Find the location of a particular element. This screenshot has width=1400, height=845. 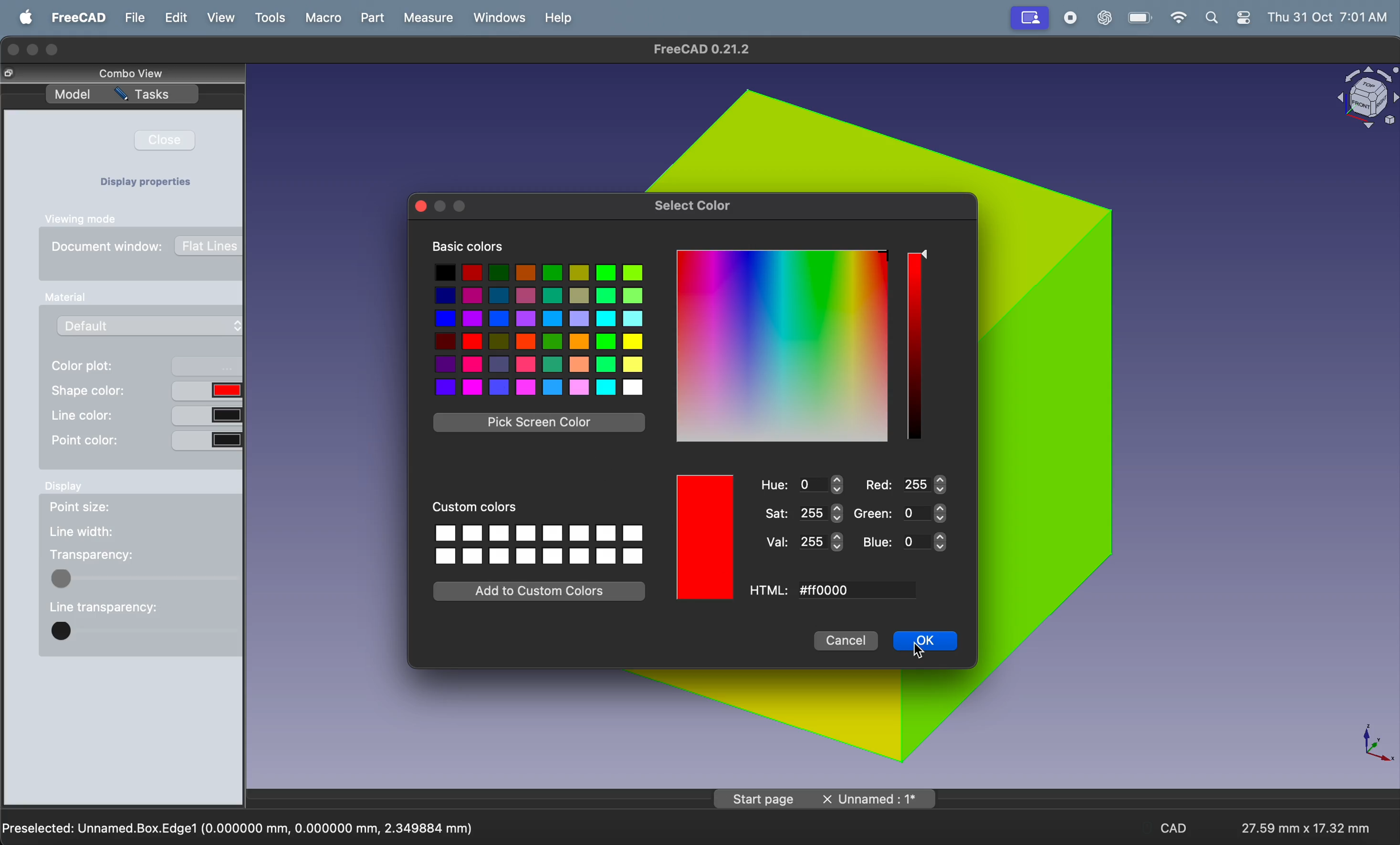

red is located at coordinates (909, 484).